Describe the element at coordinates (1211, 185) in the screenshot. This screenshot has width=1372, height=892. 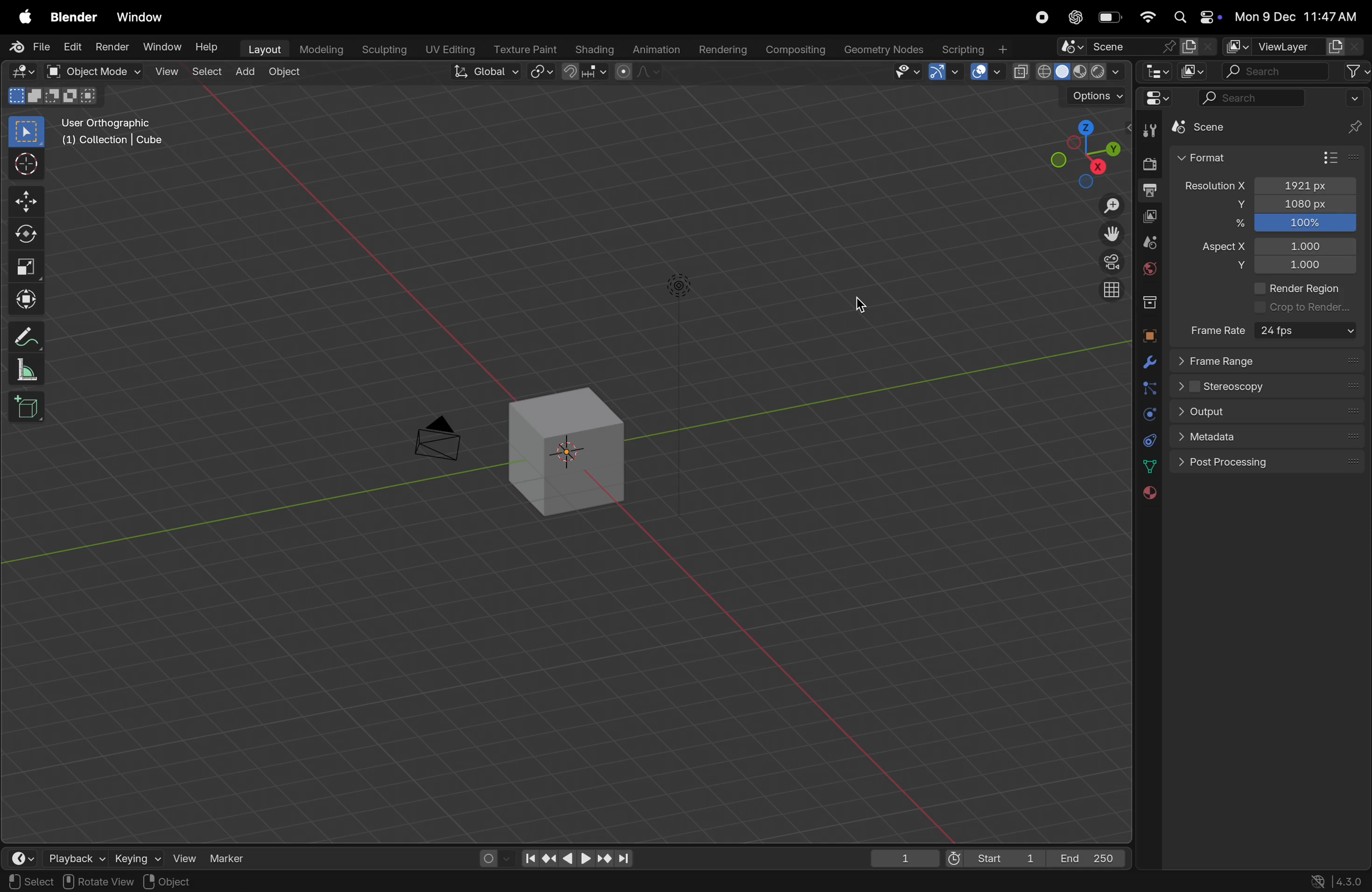
I see `resolution X` at that location.